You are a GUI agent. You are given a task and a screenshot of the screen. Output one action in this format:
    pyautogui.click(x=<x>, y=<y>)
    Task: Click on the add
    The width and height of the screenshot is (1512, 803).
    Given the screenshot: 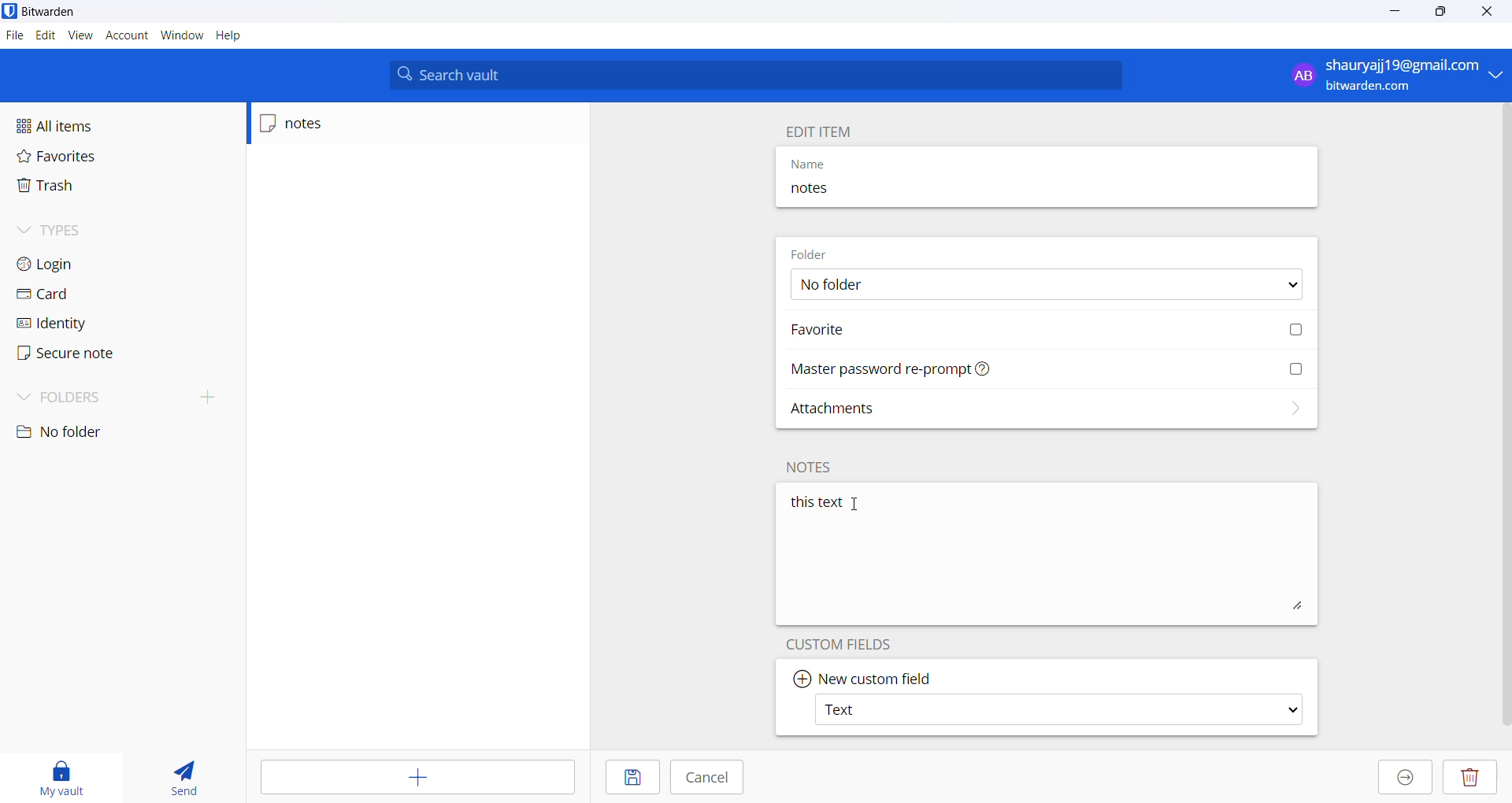 What is the action you would take?
    pyautogui.click(x=420, y=778)
    